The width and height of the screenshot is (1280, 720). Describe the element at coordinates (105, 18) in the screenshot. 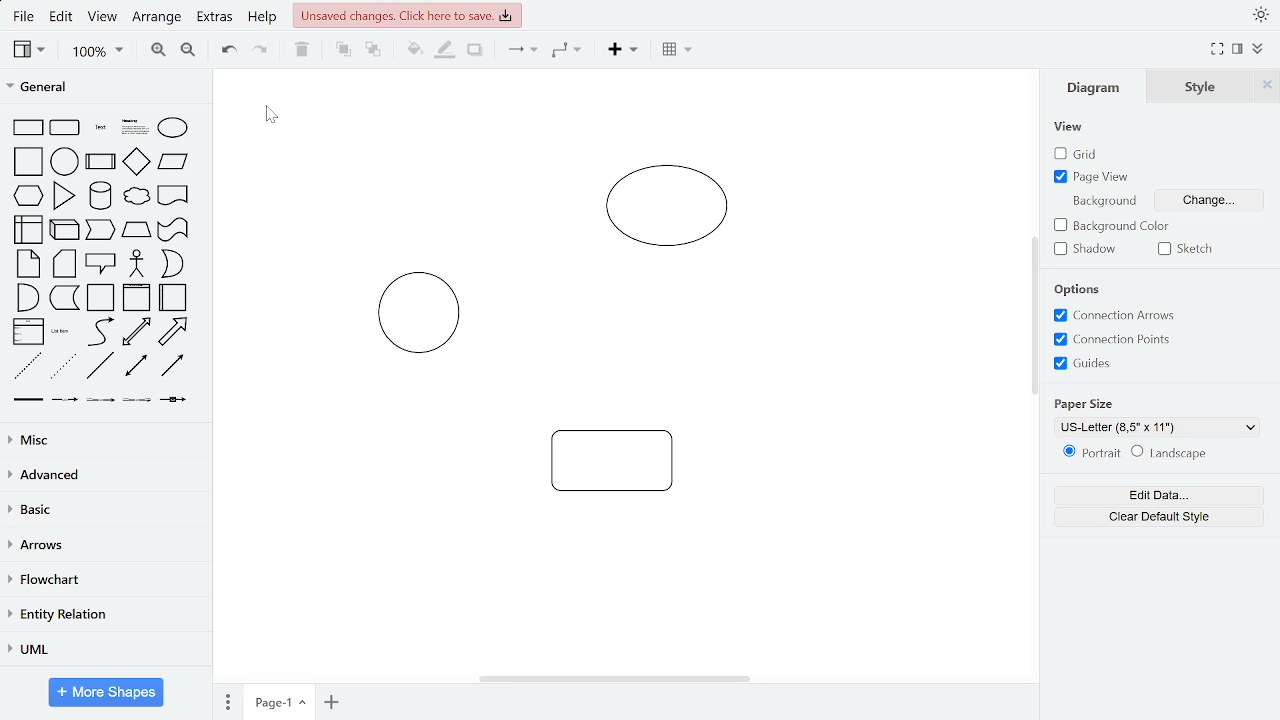

I see `view` at that location.